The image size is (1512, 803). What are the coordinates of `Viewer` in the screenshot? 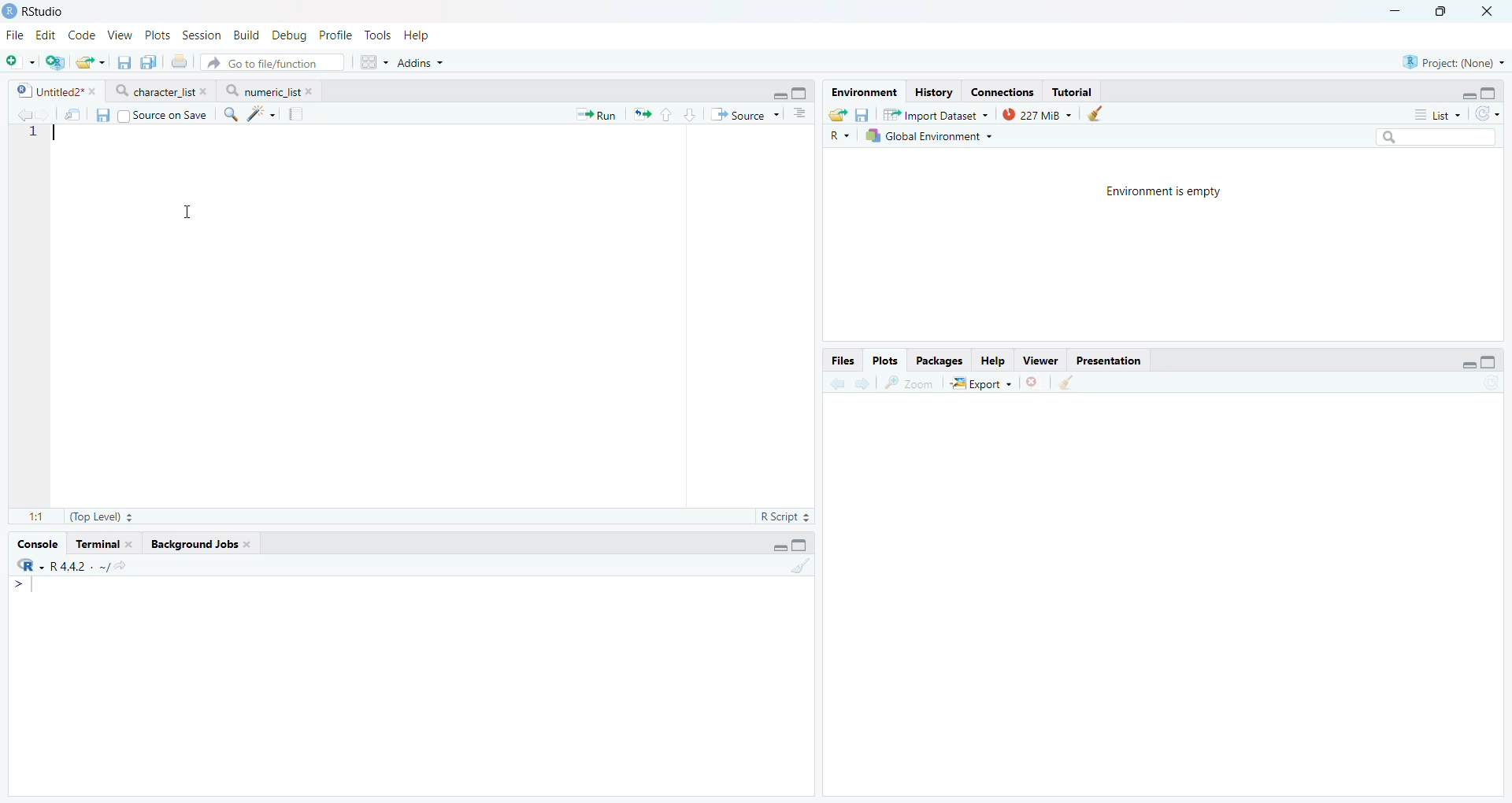 It's located at (1040, 360).